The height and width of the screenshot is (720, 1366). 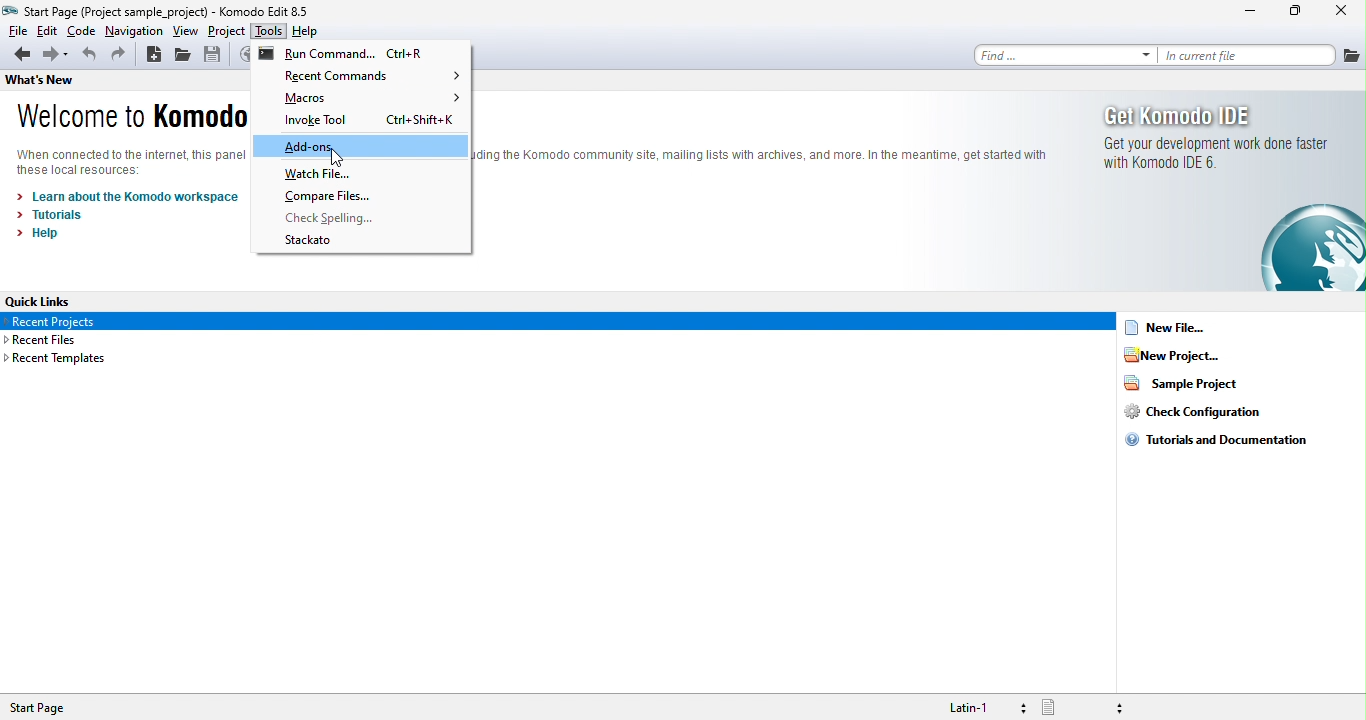 I want to click on files, so click(x=1350, y=53).